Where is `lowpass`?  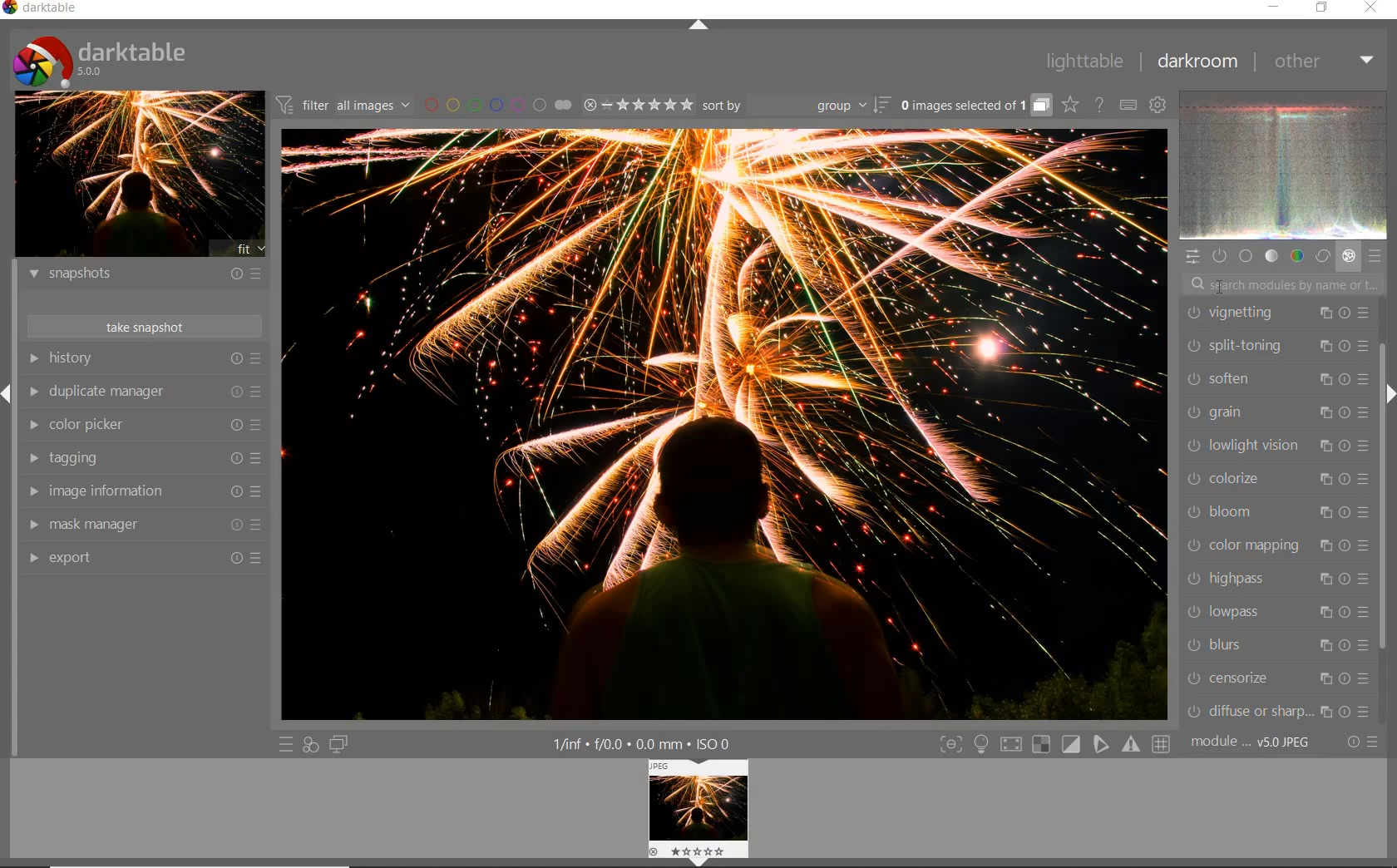
lowpass is located at coordinates (1276, 614).